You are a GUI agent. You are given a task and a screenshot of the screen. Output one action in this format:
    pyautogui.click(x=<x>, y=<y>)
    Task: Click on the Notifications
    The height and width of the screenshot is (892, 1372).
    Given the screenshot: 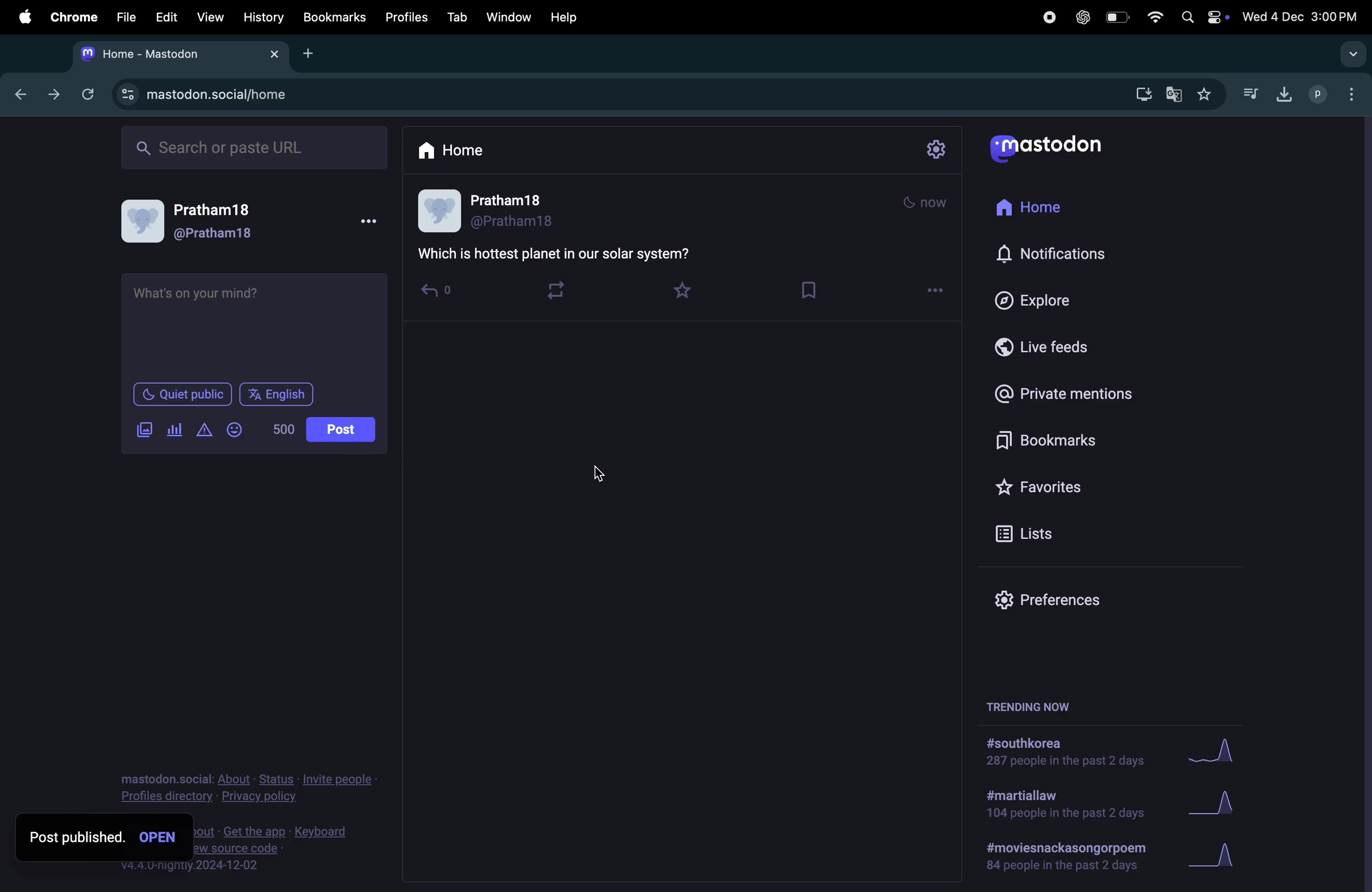 What is the action you would take?
    pyautogui.click(x=1080, y=252)
    